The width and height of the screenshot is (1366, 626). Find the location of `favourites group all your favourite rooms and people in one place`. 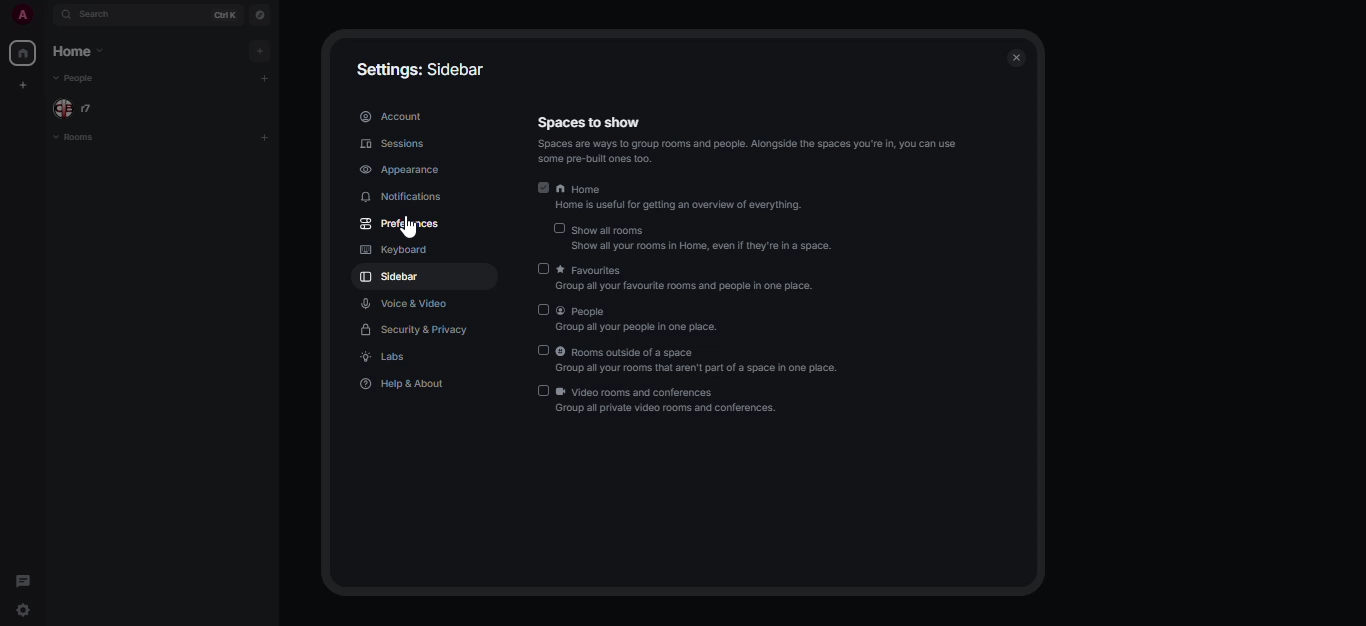

favourites group all your favourite rooms and people in one place is located at coordinates (691, 279).